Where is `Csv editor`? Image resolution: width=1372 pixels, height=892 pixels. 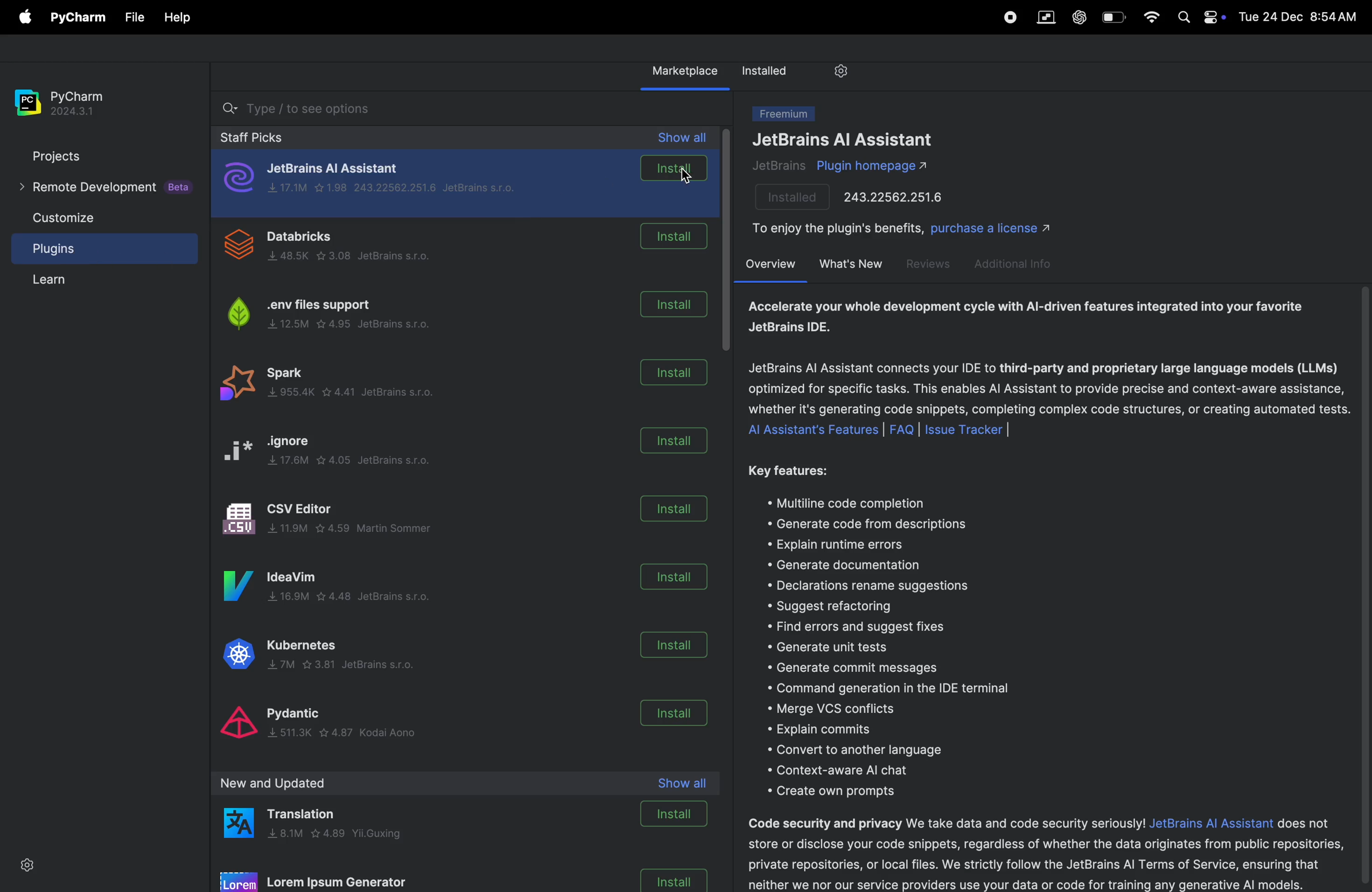
Csv editor is located at coordinates (332, 521).